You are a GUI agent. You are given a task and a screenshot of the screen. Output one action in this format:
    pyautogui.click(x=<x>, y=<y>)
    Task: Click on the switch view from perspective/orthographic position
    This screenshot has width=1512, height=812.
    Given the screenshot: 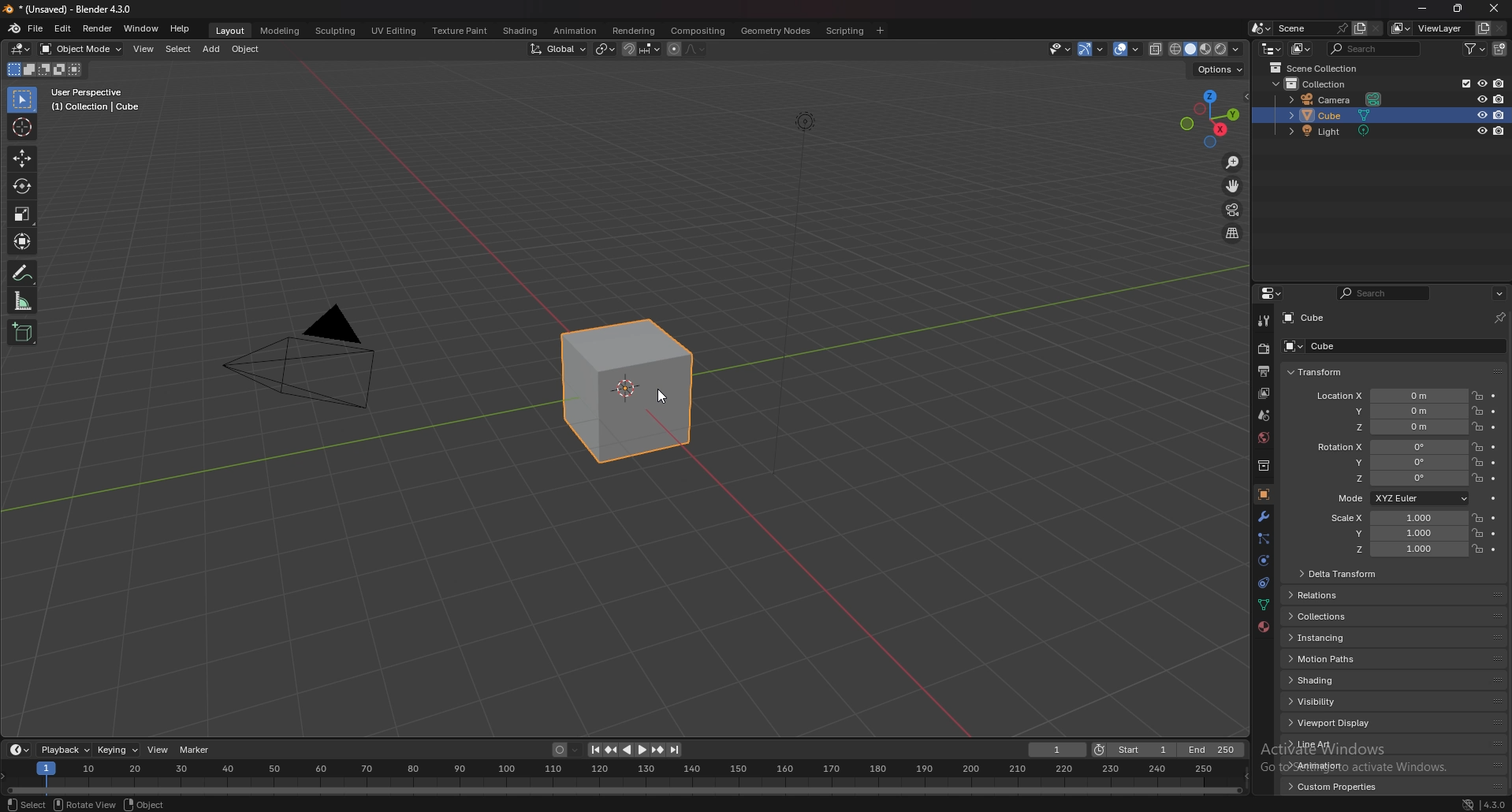 What is the action you would take?
    pyautogui.click(x=1234, y=234)
    